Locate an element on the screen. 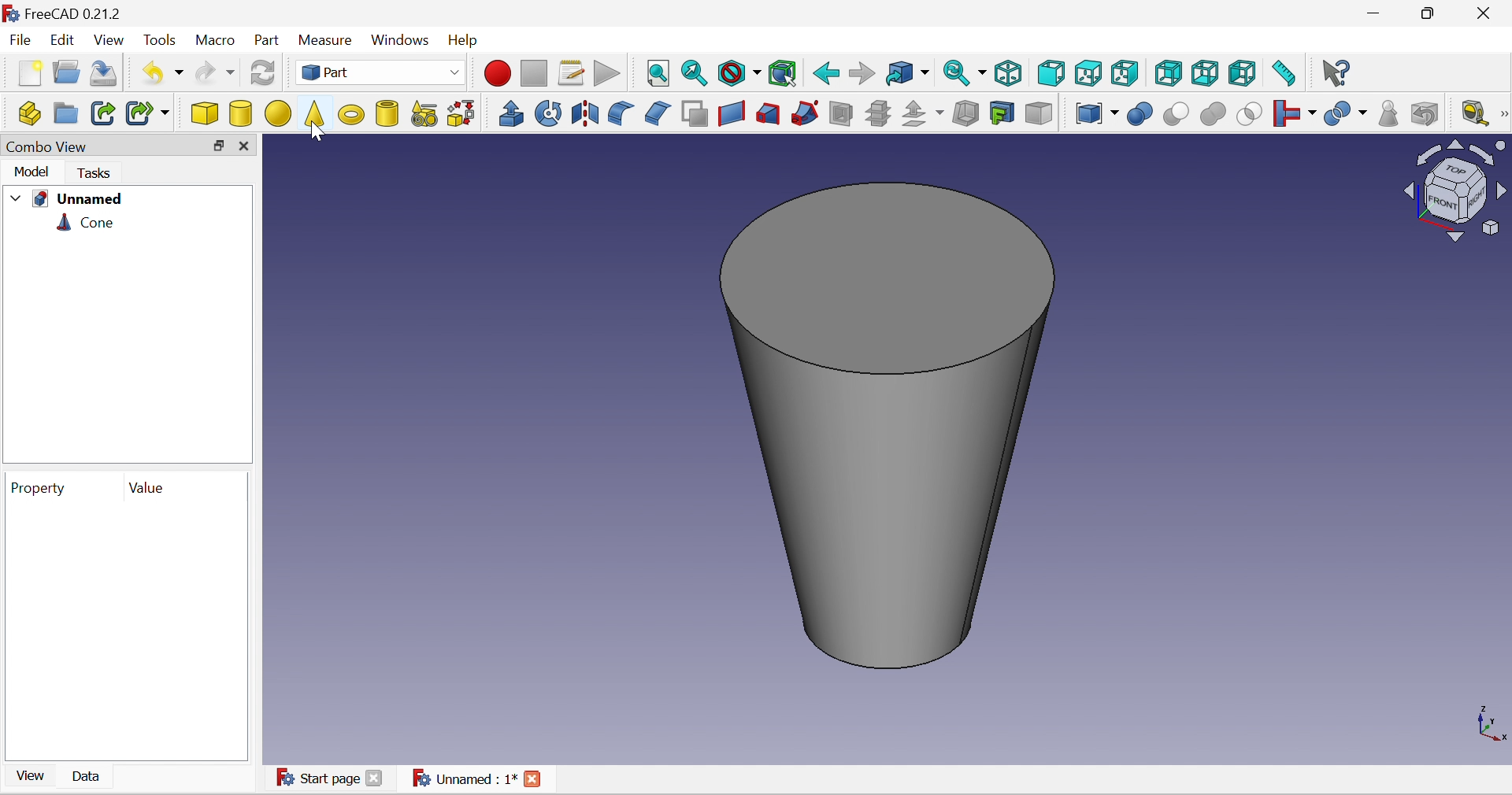 This screenshot has height=795, width=1512. Cone is located at coordinates (317, 113).